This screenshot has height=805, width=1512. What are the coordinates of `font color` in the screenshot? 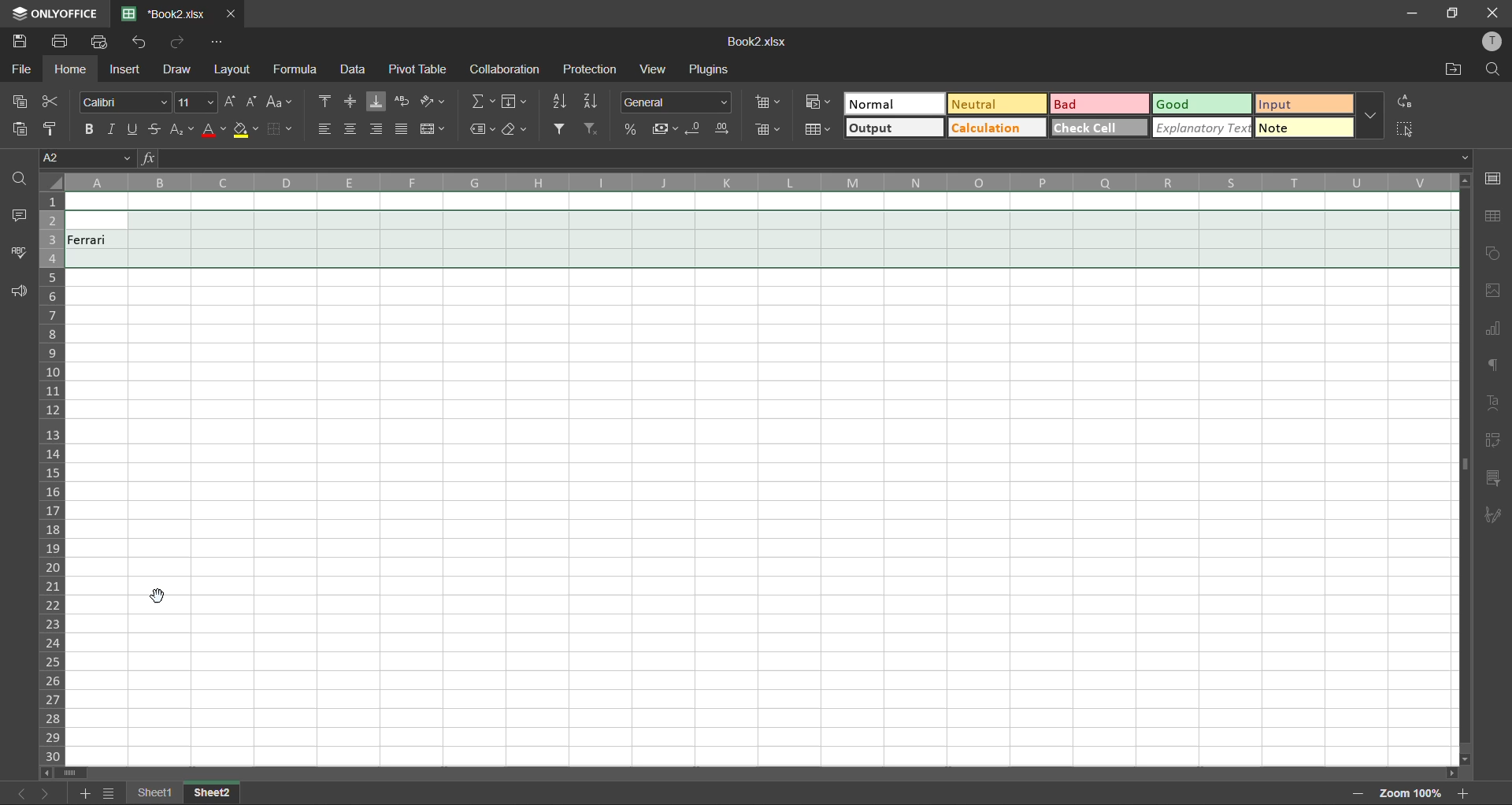 It's located at (210, 129).